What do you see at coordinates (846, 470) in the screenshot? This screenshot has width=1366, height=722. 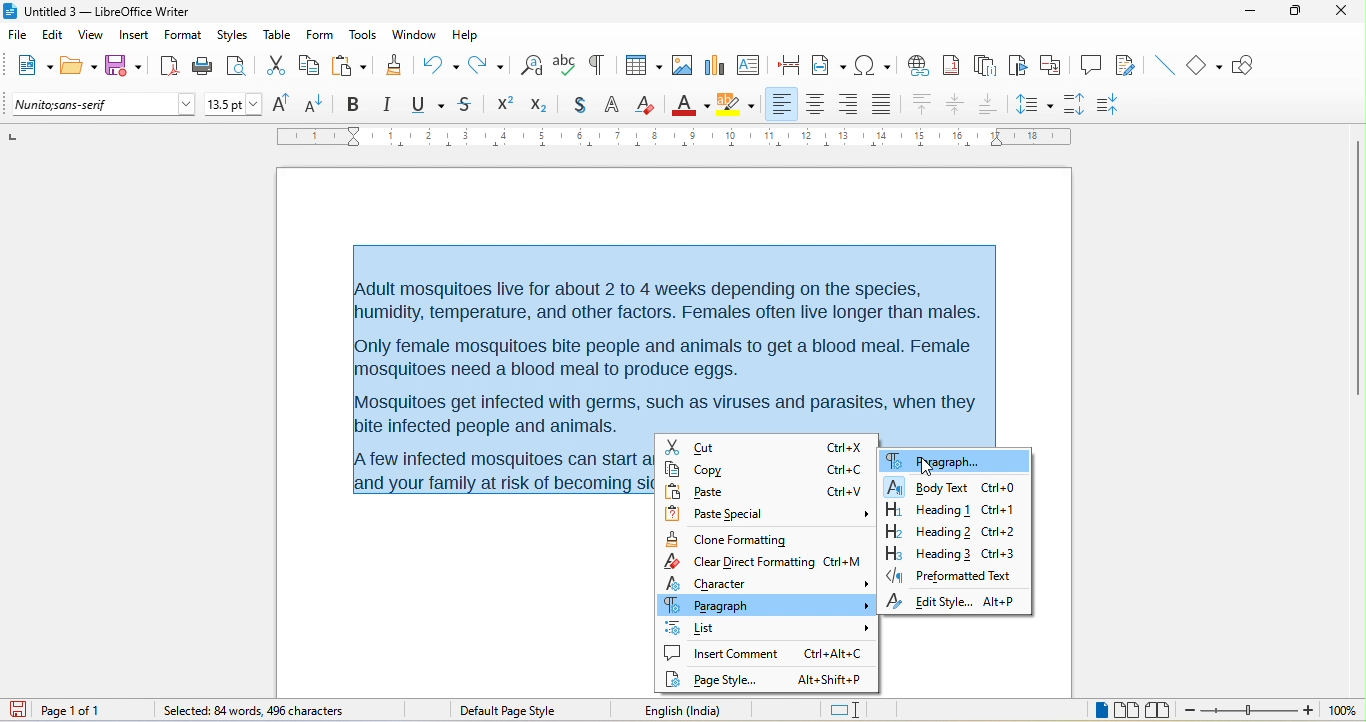 I see `shortcut key` at bounding box center [846, 470].